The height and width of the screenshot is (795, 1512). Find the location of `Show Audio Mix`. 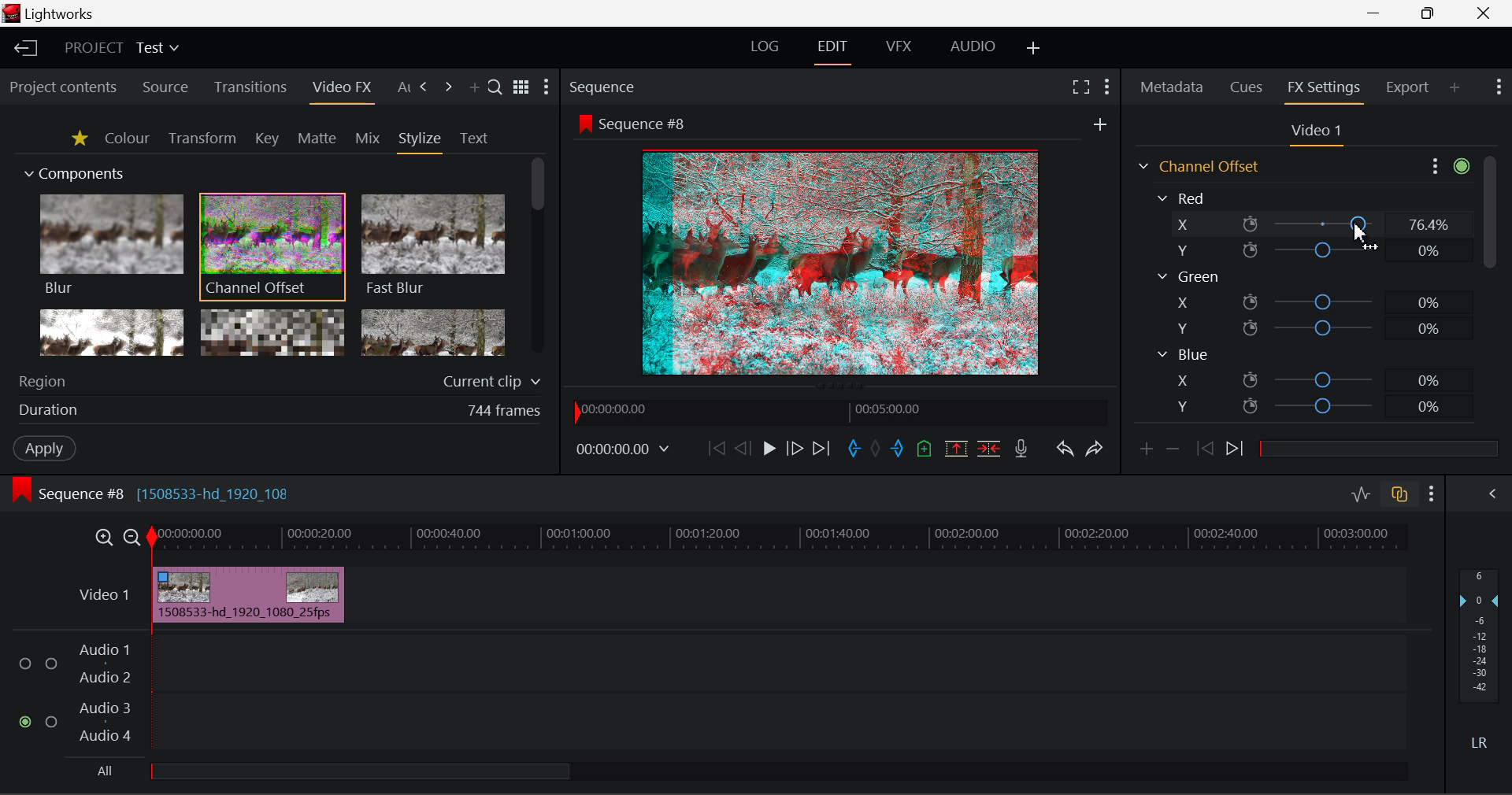

Show Audio Mix is located at coordinates (1484, 494).